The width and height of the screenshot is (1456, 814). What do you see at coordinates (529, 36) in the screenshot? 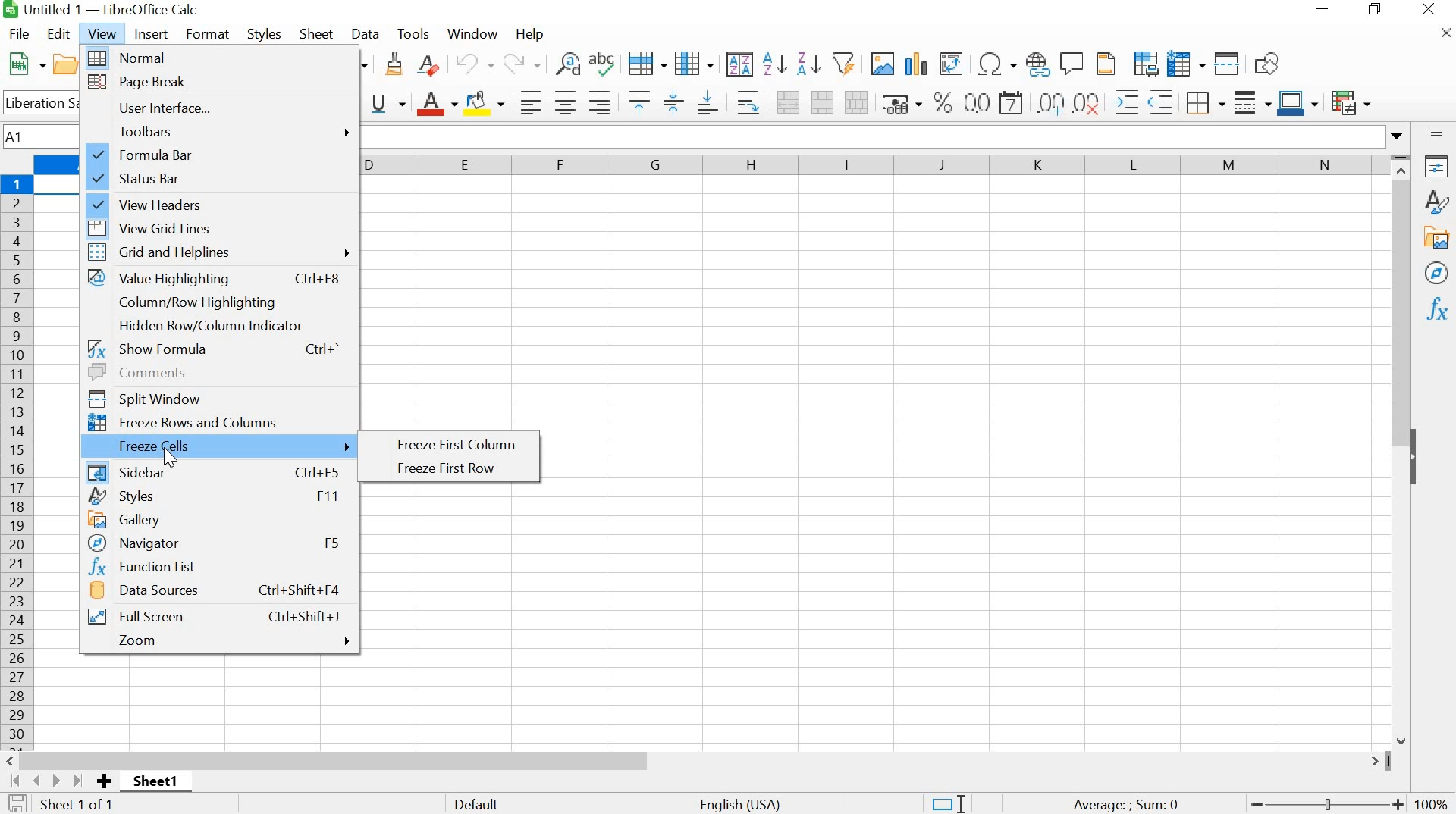
I see `HELP` at bounding box center [529, 36].